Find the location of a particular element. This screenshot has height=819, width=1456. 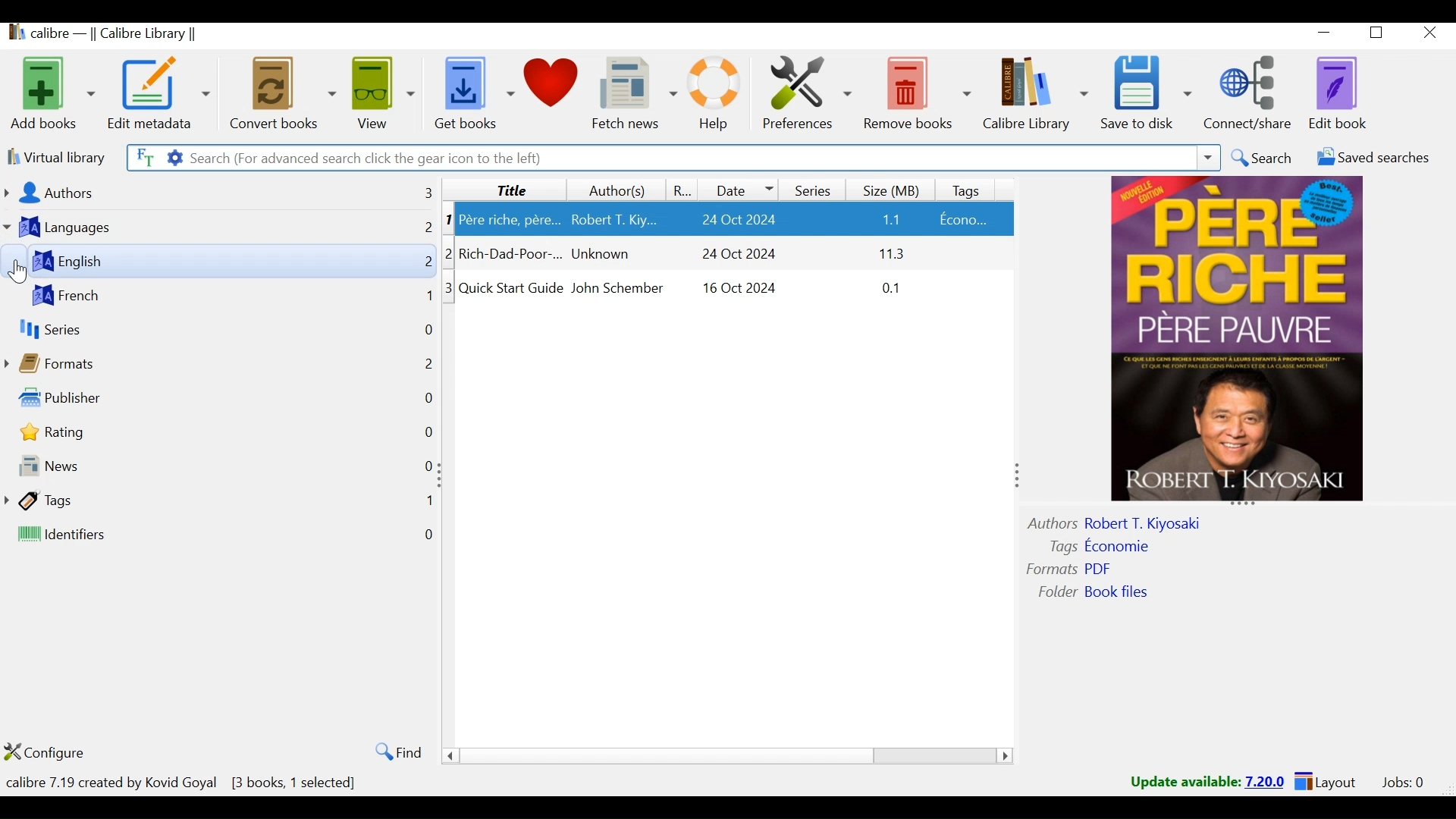

0 is located at coordinates (428, 395).